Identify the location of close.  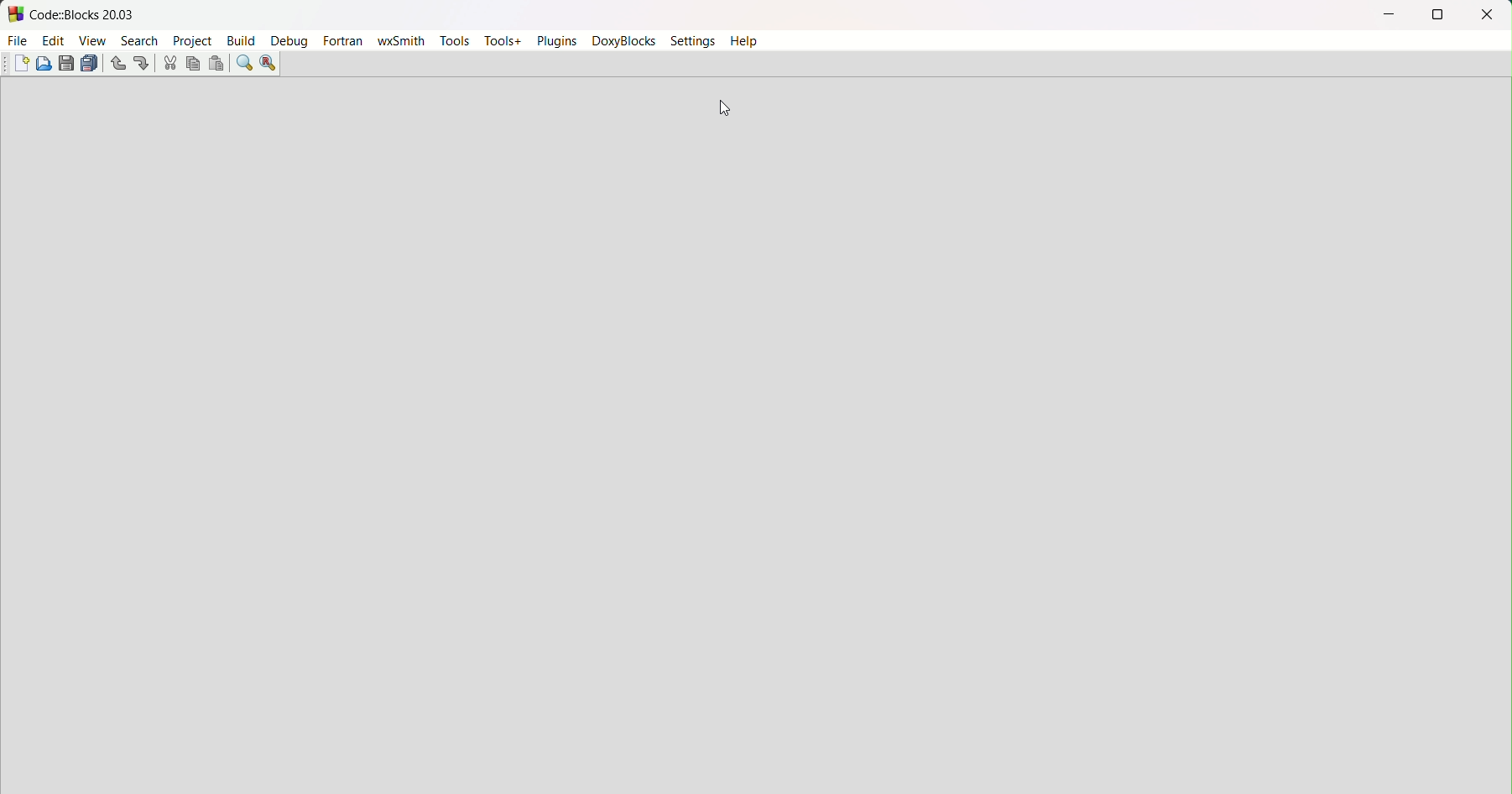
(1487, 15).